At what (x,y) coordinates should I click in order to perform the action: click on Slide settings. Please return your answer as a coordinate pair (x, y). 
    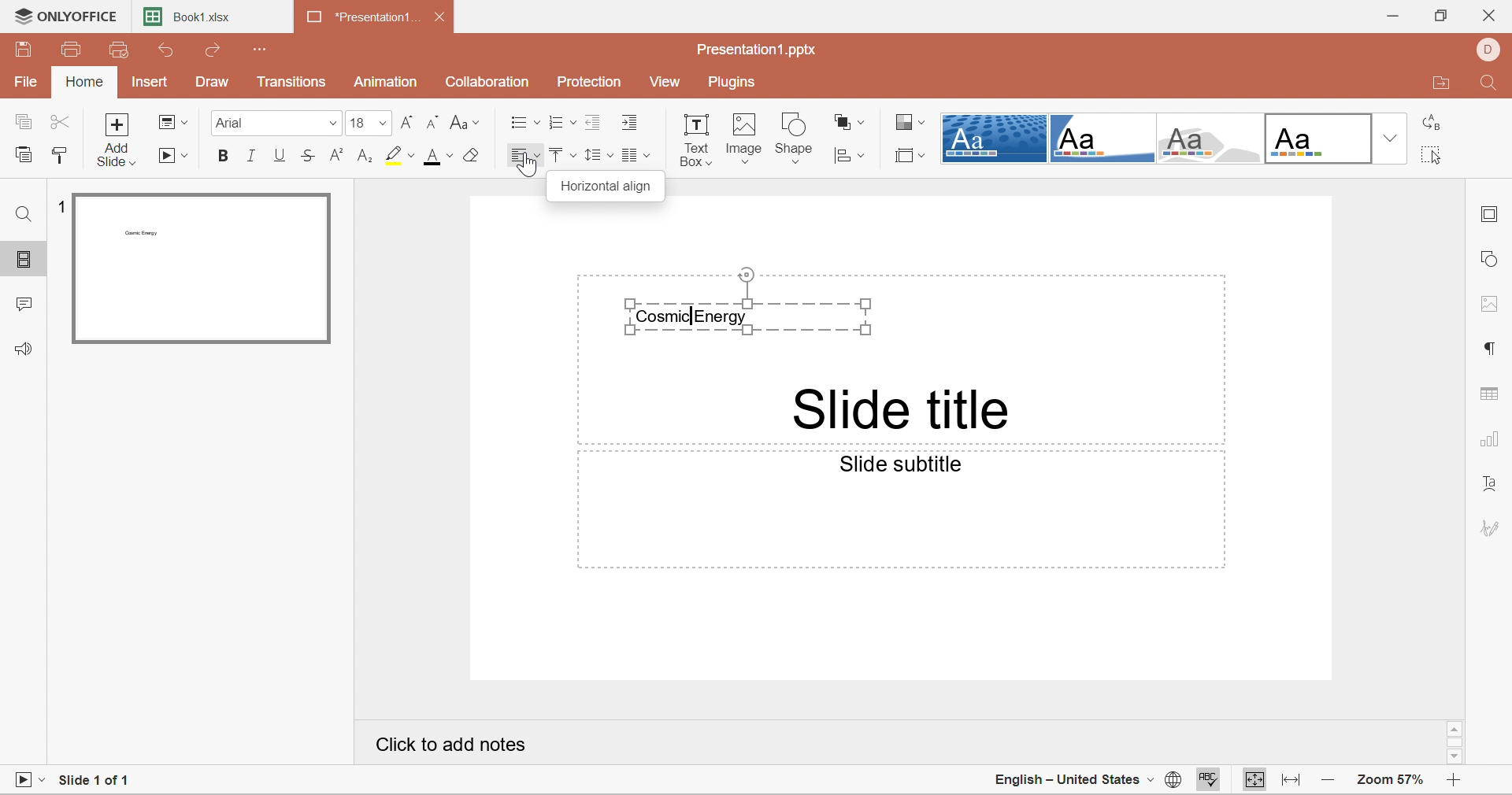
    Looking at the image, I should click on (1490, 217).